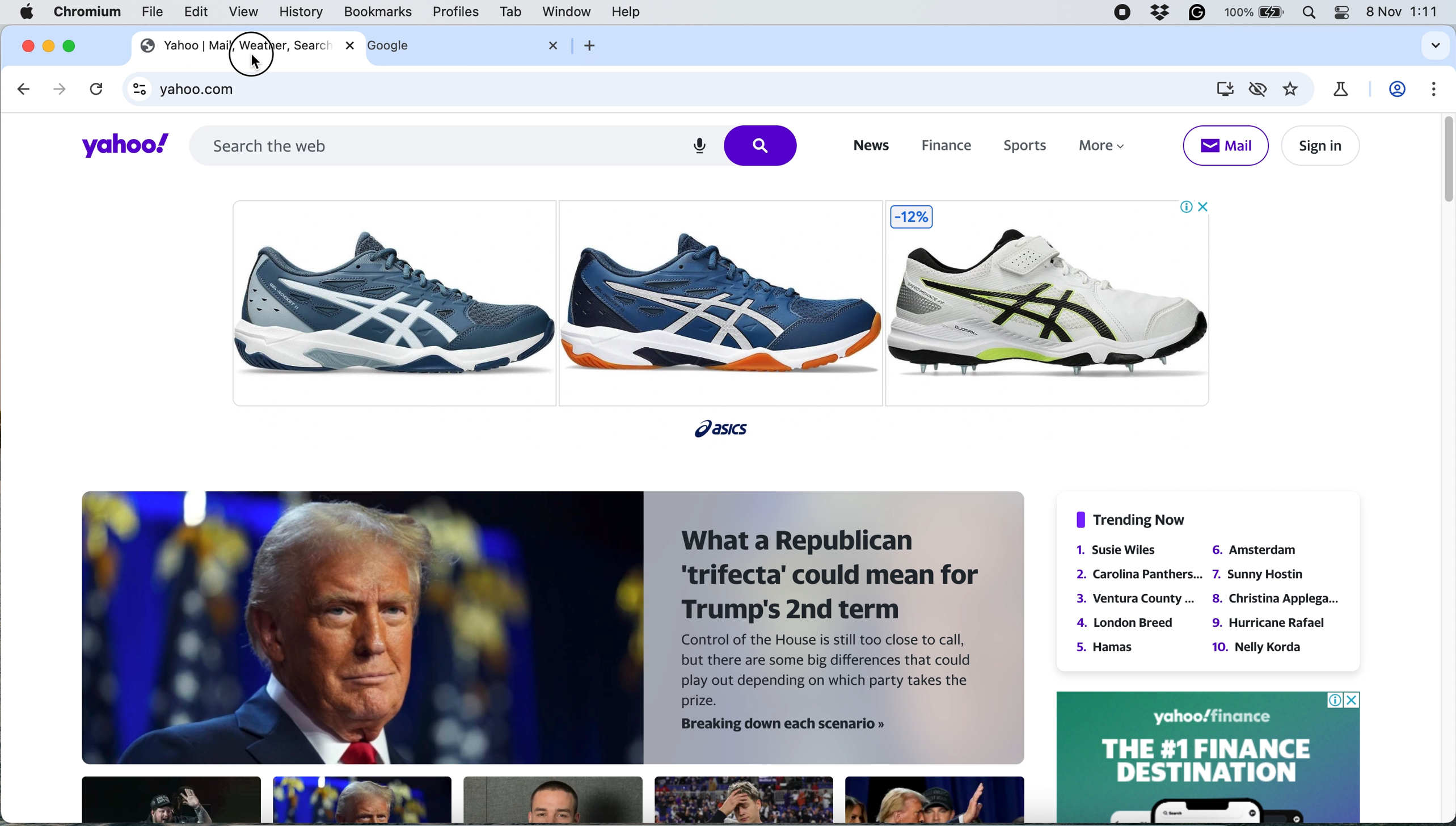 This screenshot has height=826, width=1456. What do you see at coordinates (153, 15) in the screenshot?
I see `file` at bounding box center [153, 15].